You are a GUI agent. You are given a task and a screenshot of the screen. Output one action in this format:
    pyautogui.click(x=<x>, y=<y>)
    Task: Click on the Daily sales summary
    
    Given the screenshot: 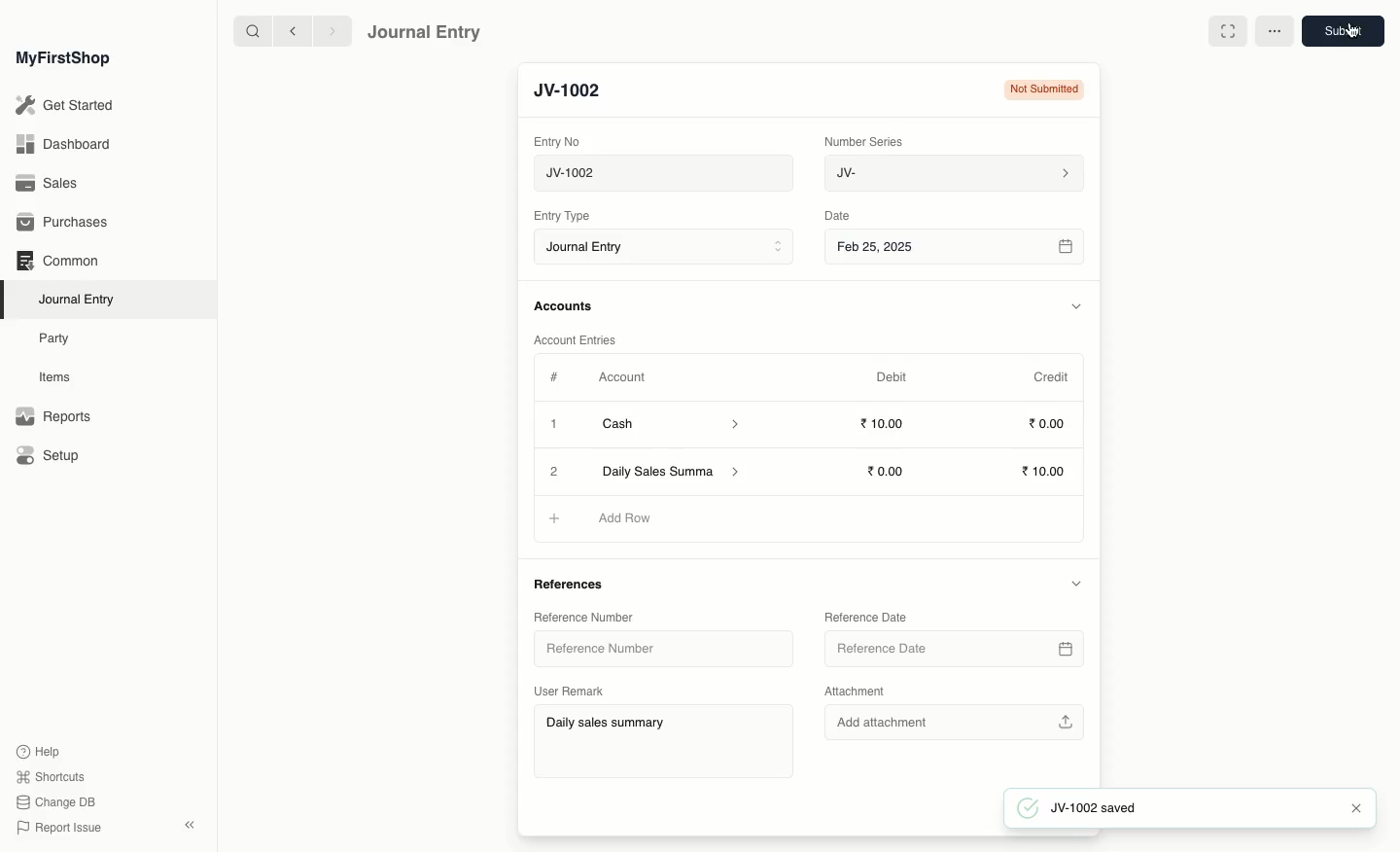 What is the action you would take?
    pyautogui.click(x=673, y=473)
    